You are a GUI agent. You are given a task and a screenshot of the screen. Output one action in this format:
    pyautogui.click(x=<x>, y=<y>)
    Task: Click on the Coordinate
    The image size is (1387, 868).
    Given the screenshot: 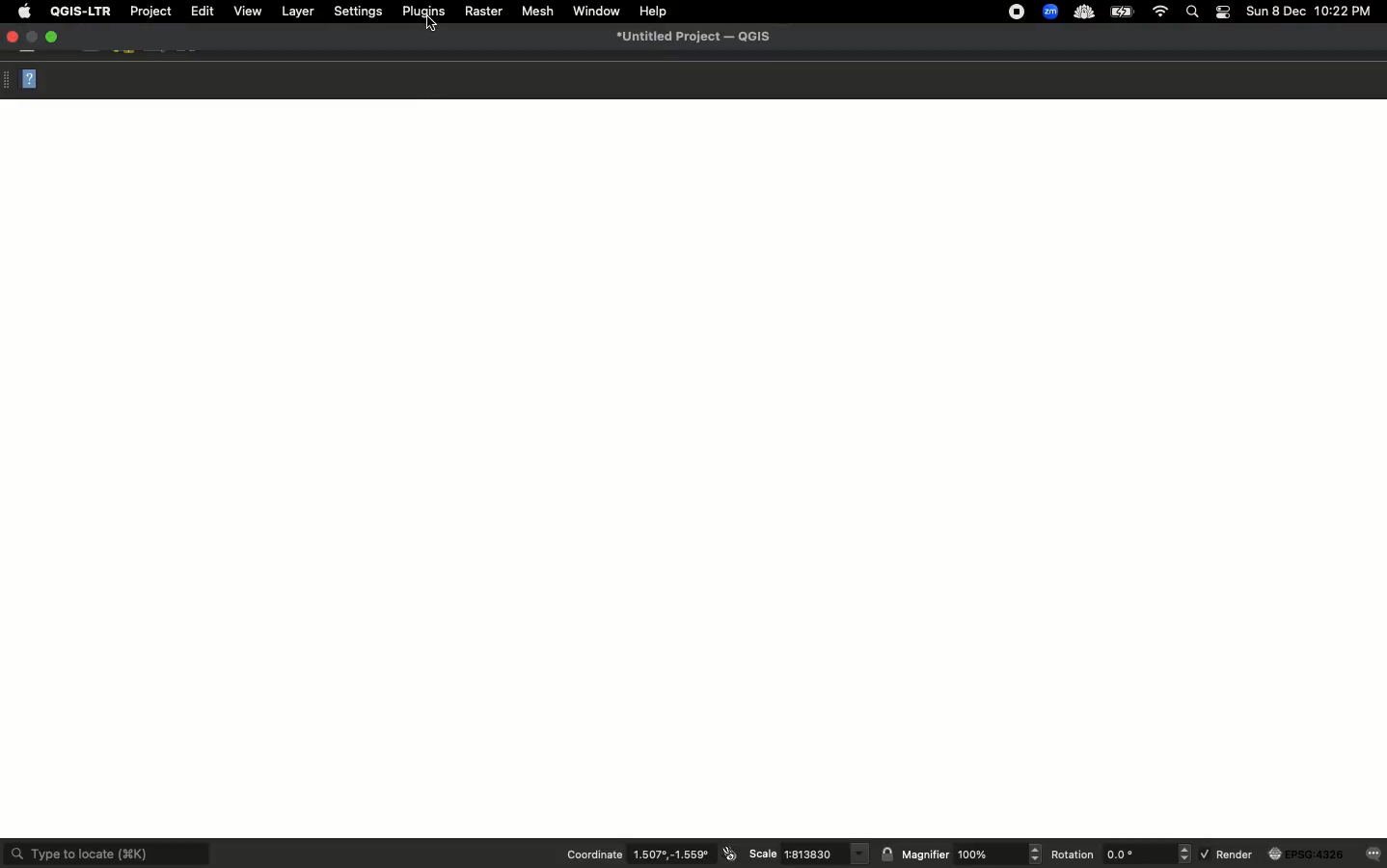 What is the action you would take?
    pyautogui.click(x=594, y=854)
    